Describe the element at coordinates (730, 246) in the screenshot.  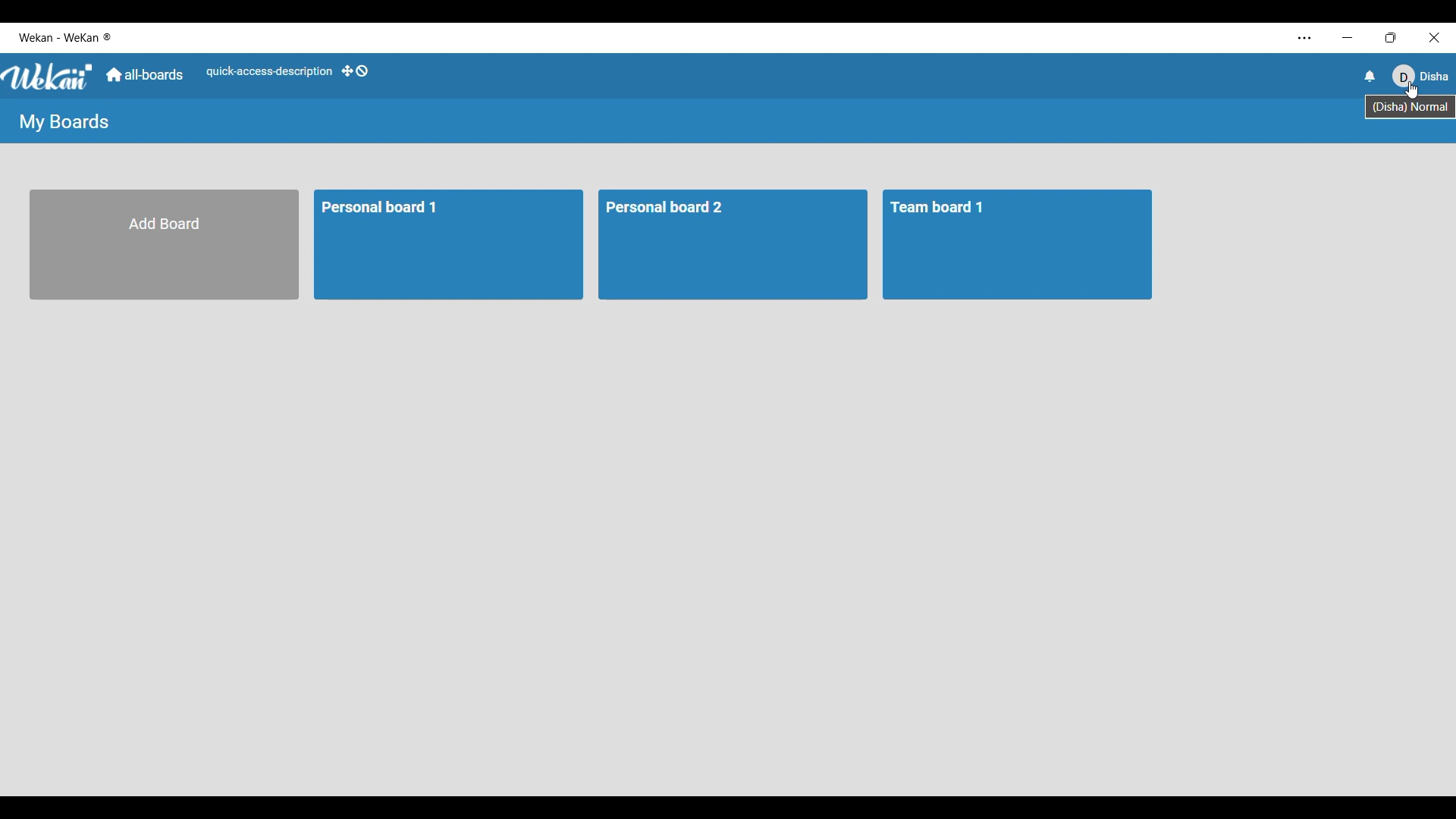
I see `Personal board 2` at that location.